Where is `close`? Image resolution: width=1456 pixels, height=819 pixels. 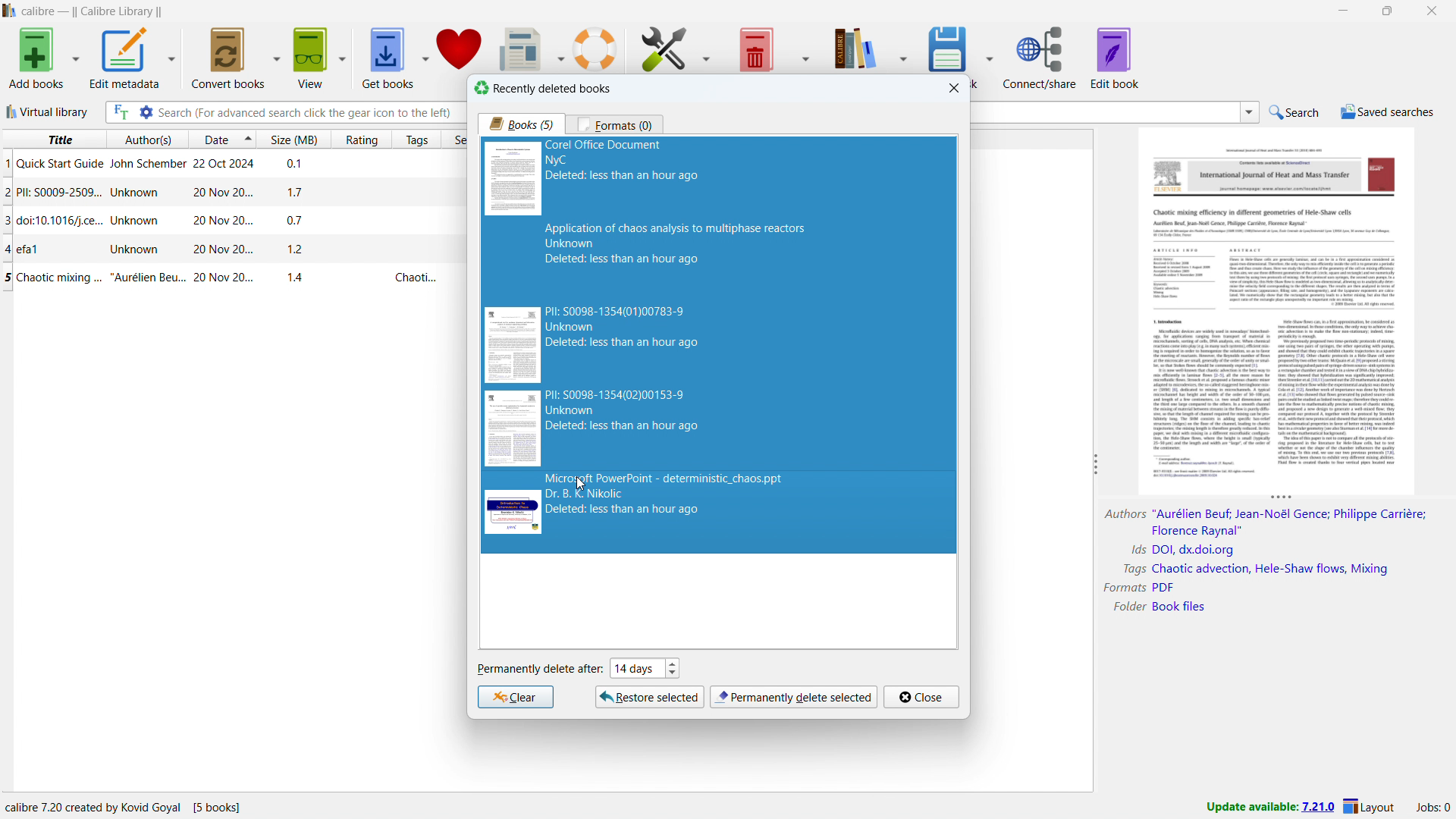
close is located at coordinates (1430, 11).